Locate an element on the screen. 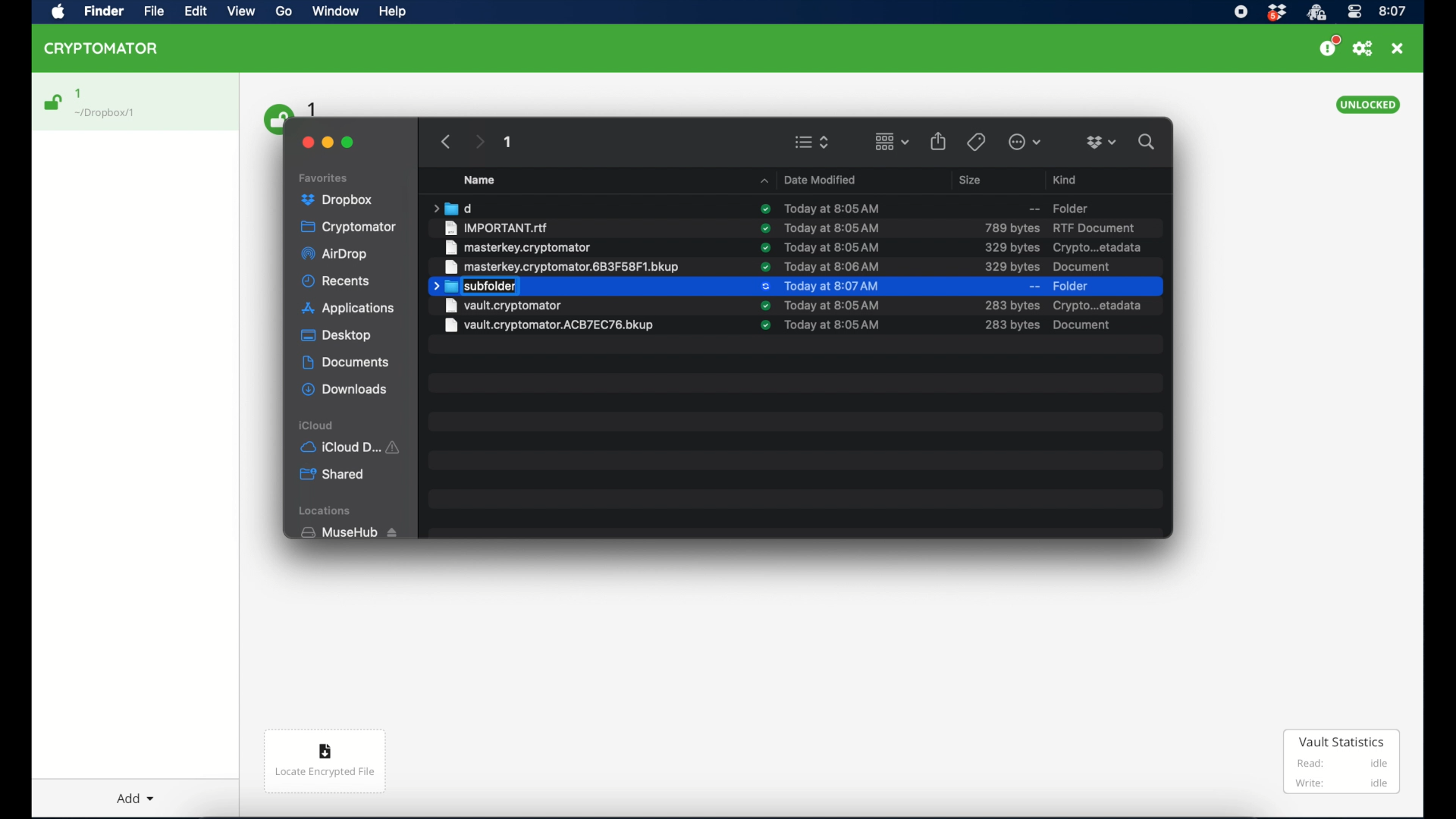  airdrop is located at coordinates (336, 256).